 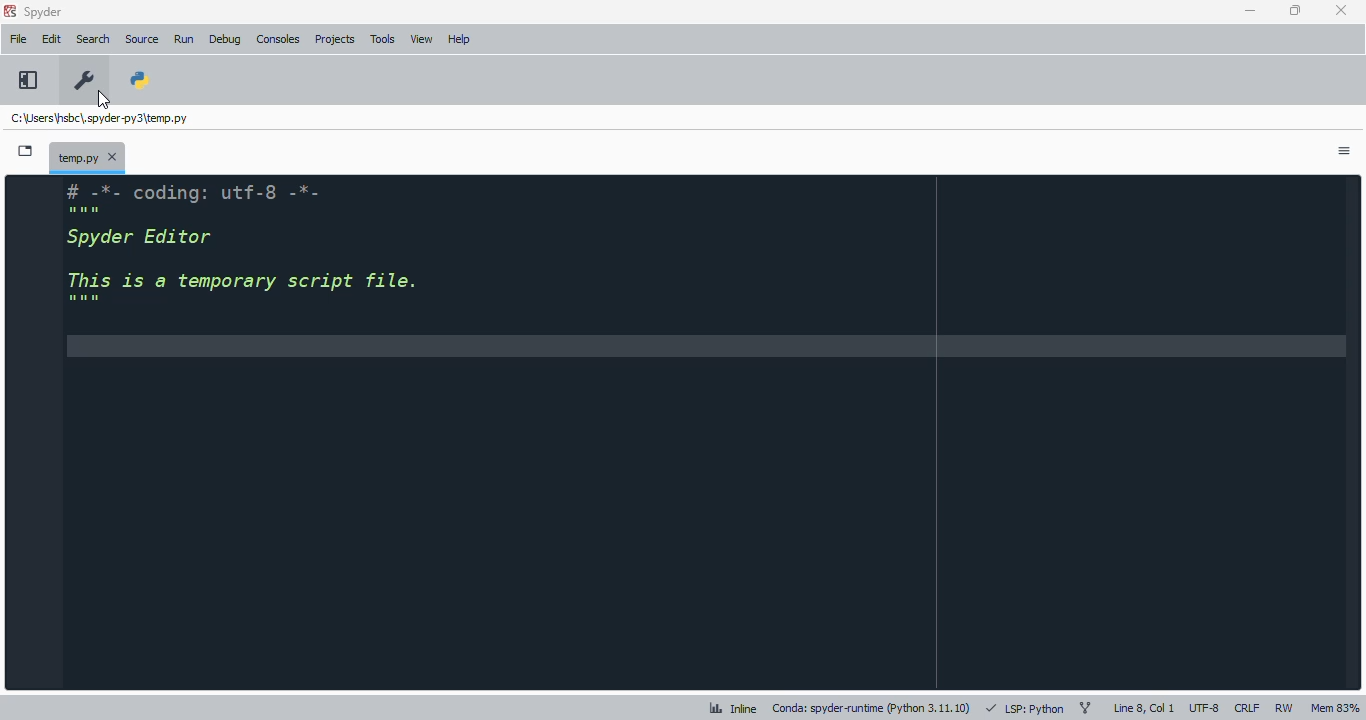 What do you see at coordinates (708, 430) in the screenshot?
I see `editor` at bounding box center [708, 430].